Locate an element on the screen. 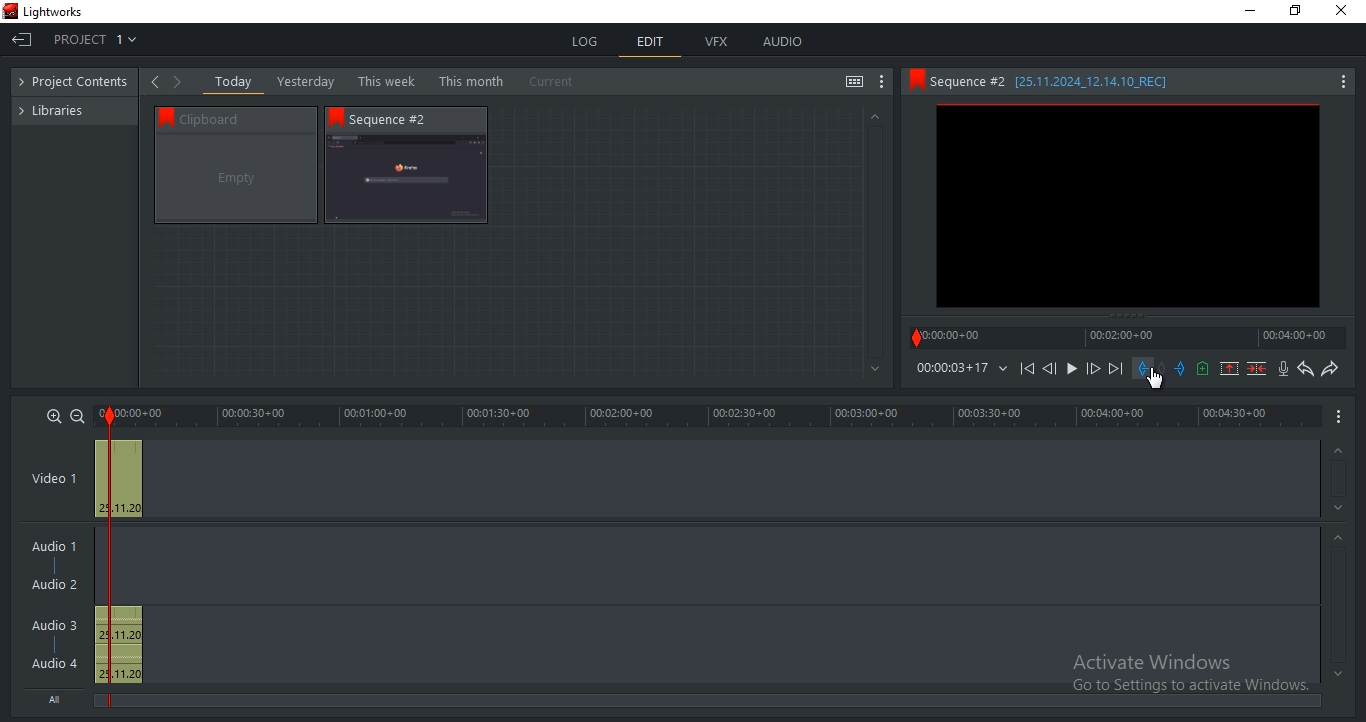 Image resolution: width=1366 pixels, height=722 pixels. project is located at coordinates (79, 83).